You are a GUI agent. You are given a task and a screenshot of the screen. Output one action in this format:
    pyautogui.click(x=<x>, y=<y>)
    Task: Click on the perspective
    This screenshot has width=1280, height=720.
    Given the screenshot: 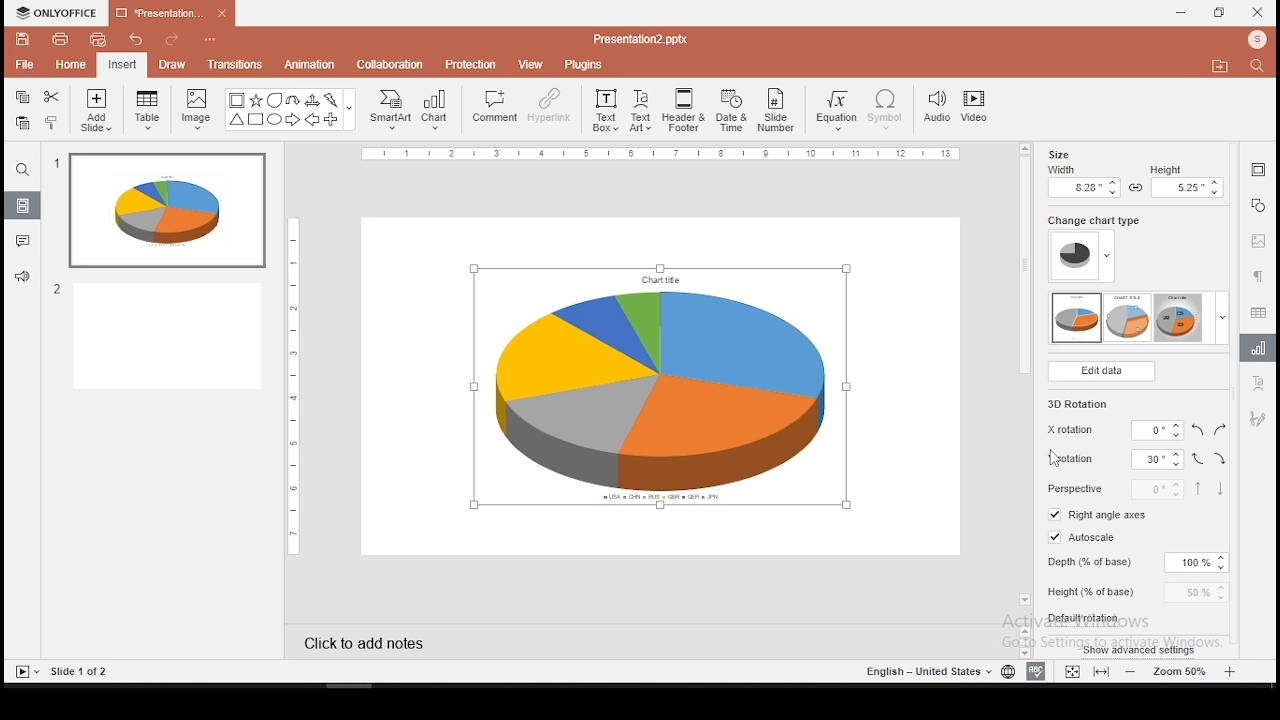 What is the action you would take?
    pyautogui.click(x=1115, y=489)
    